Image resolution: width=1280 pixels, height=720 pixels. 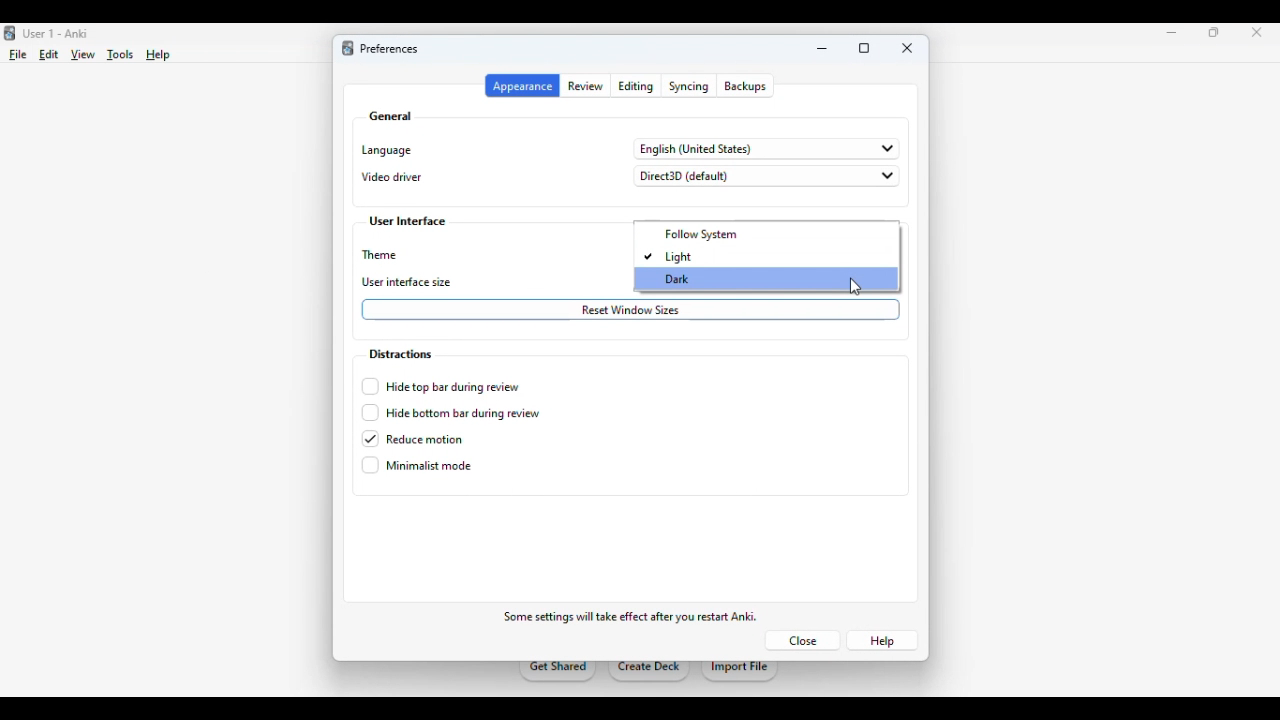 What do you see at coordinates (882, 641) in the screenshot?
I see `help` at bounding box center [882, 641].